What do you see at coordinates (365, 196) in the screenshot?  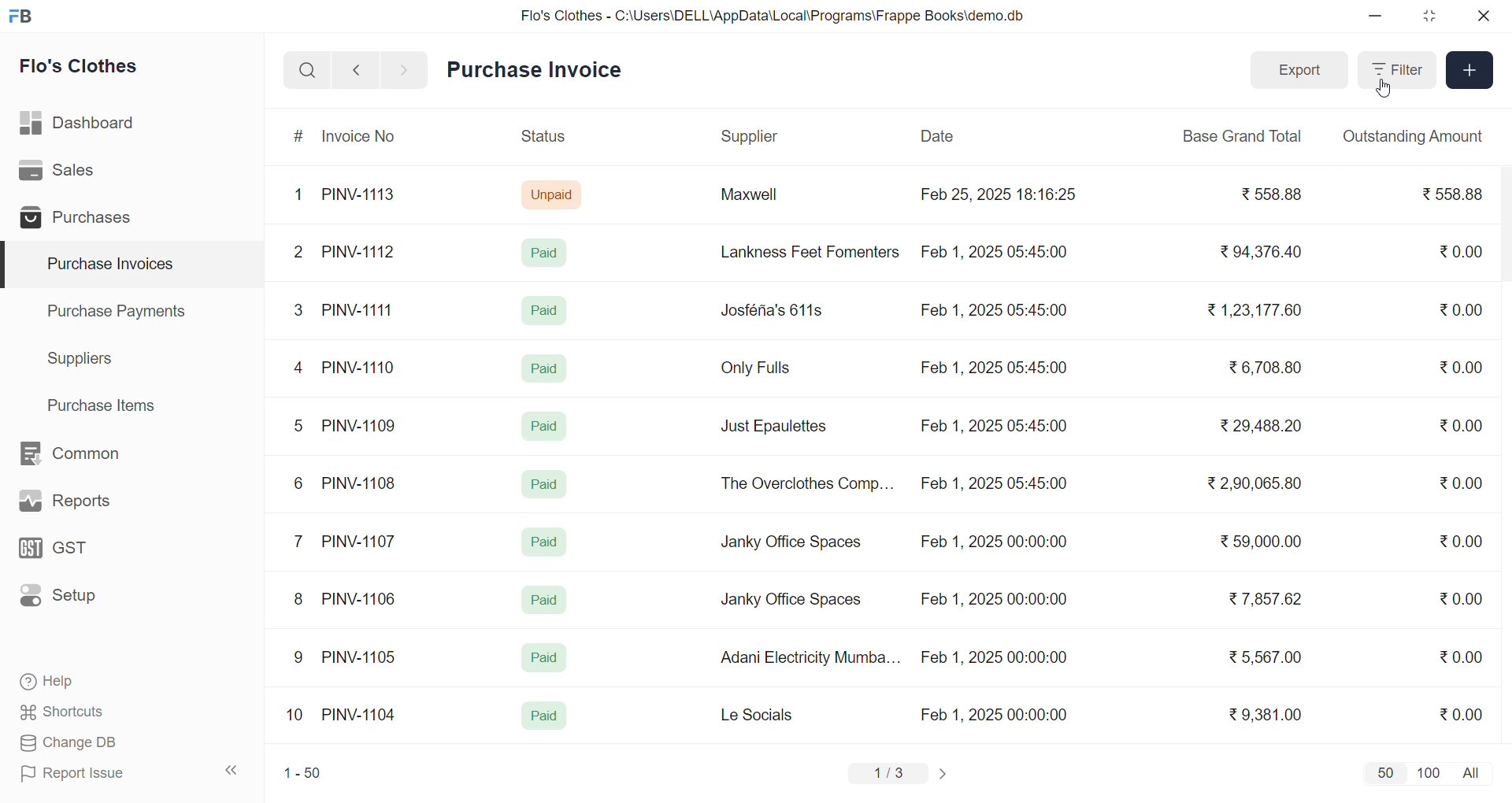 I see `PINV-1113` at bounding box center [365, 196].